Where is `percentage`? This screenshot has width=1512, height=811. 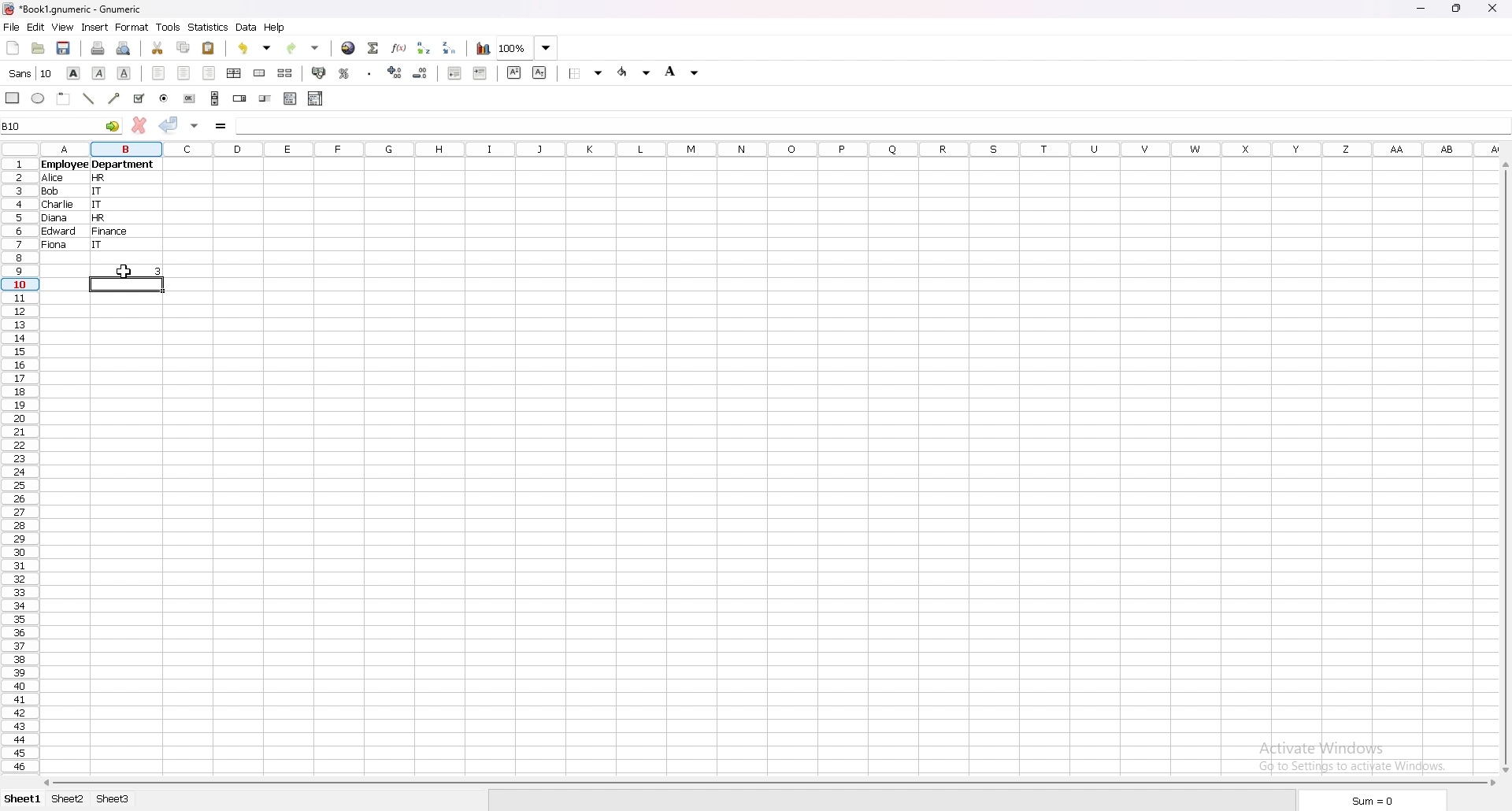
percentage is located at coordinates (344, 73).